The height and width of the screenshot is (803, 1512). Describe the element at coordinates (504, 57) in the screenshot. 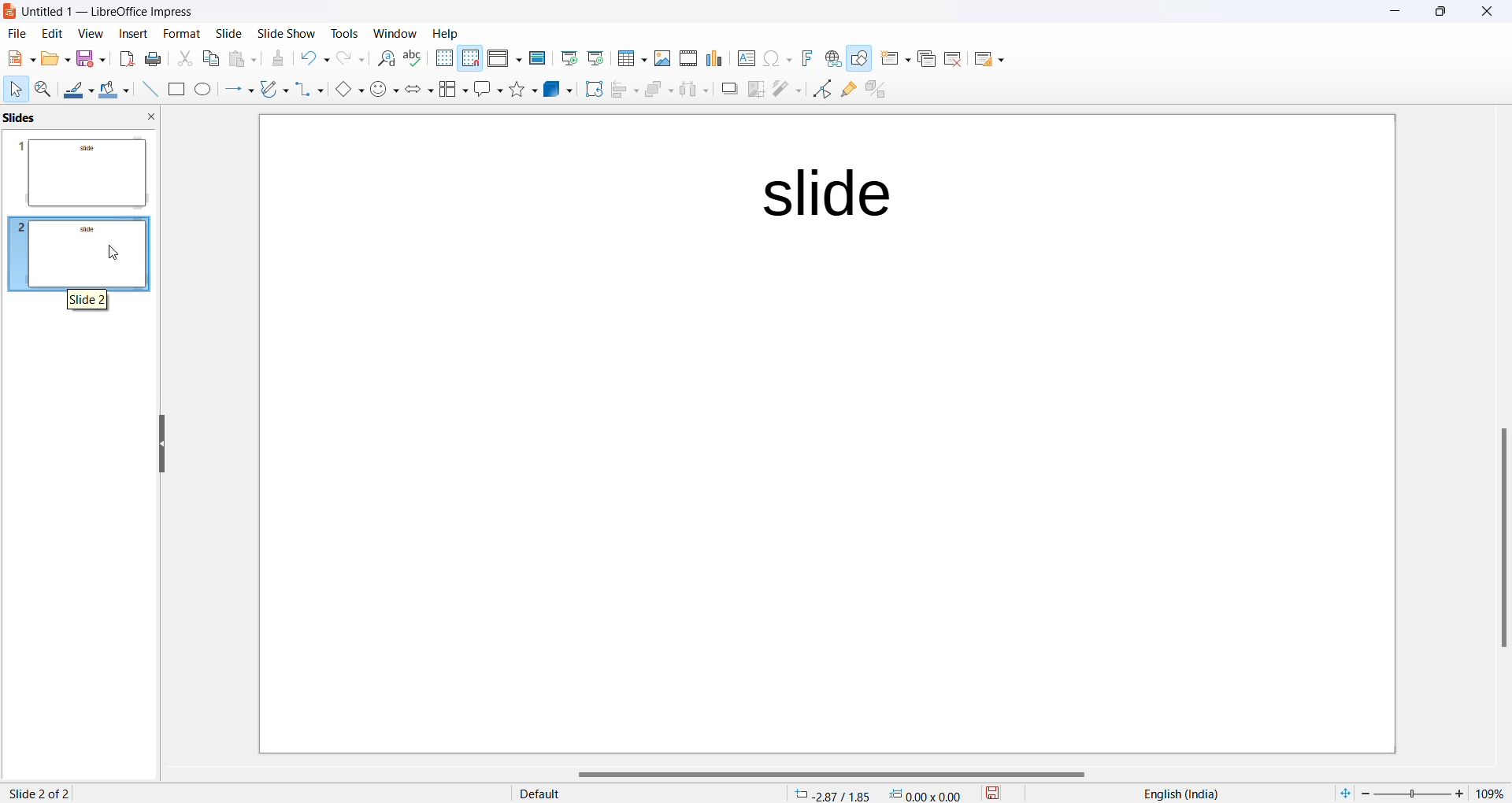

I see `Display views` at that location.